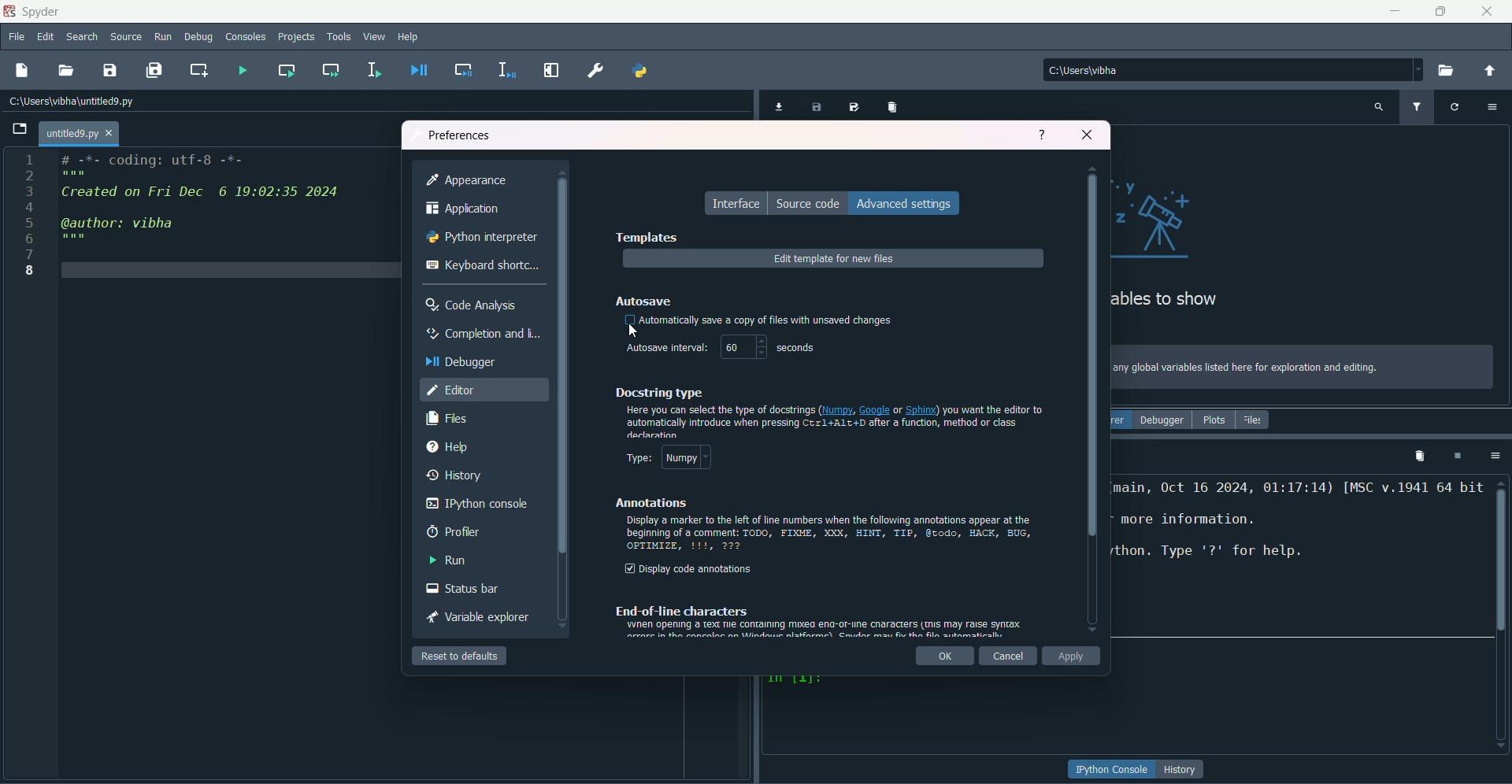 This screenshot has width=1512, height=784. Describe the element at coordinates (20, 129) in the screenshot. I see `Open file` at that location.